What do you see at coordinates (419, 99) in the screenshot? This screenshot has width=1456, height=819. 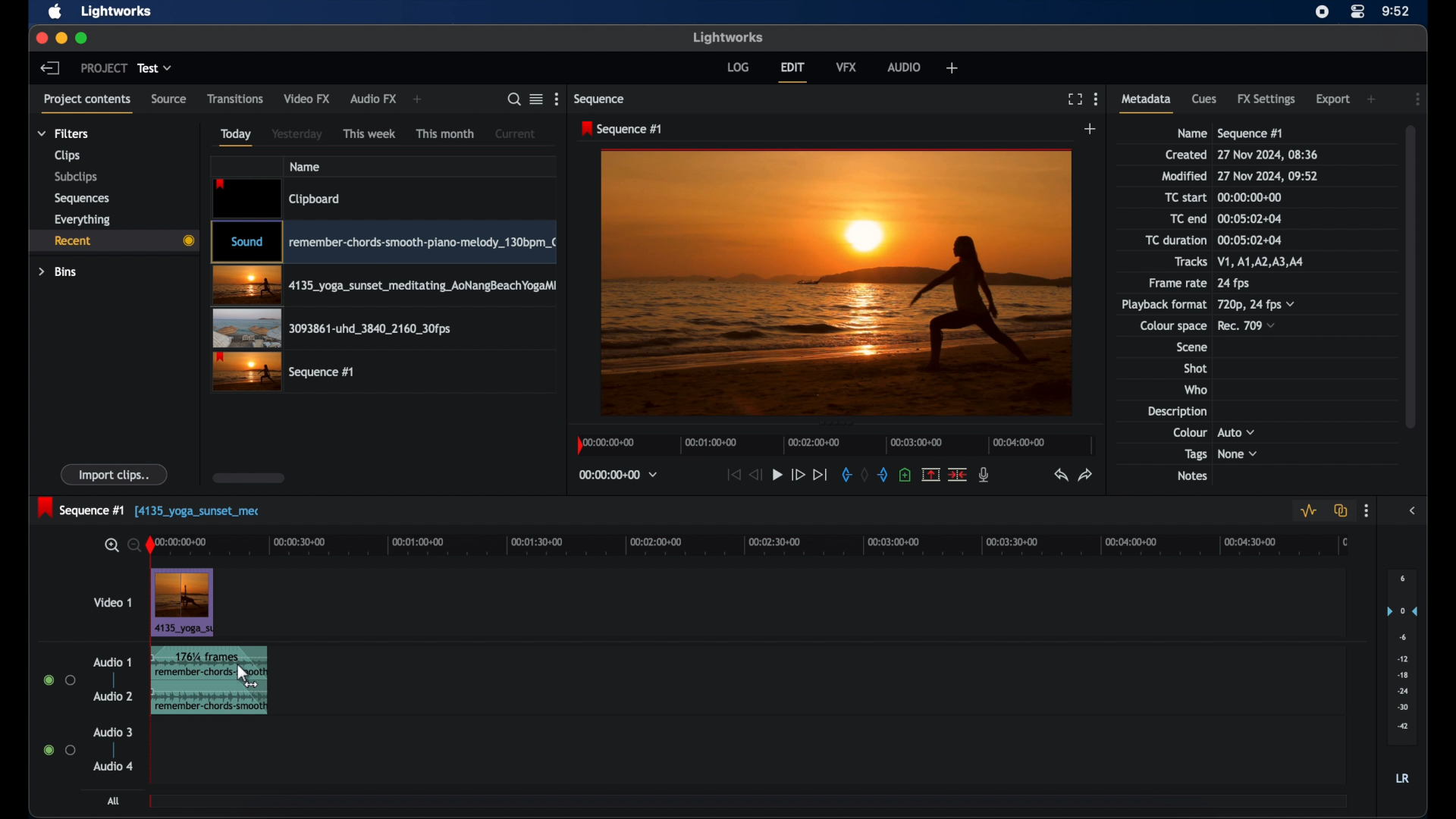 I see `add` at bounding box center [419, 99].